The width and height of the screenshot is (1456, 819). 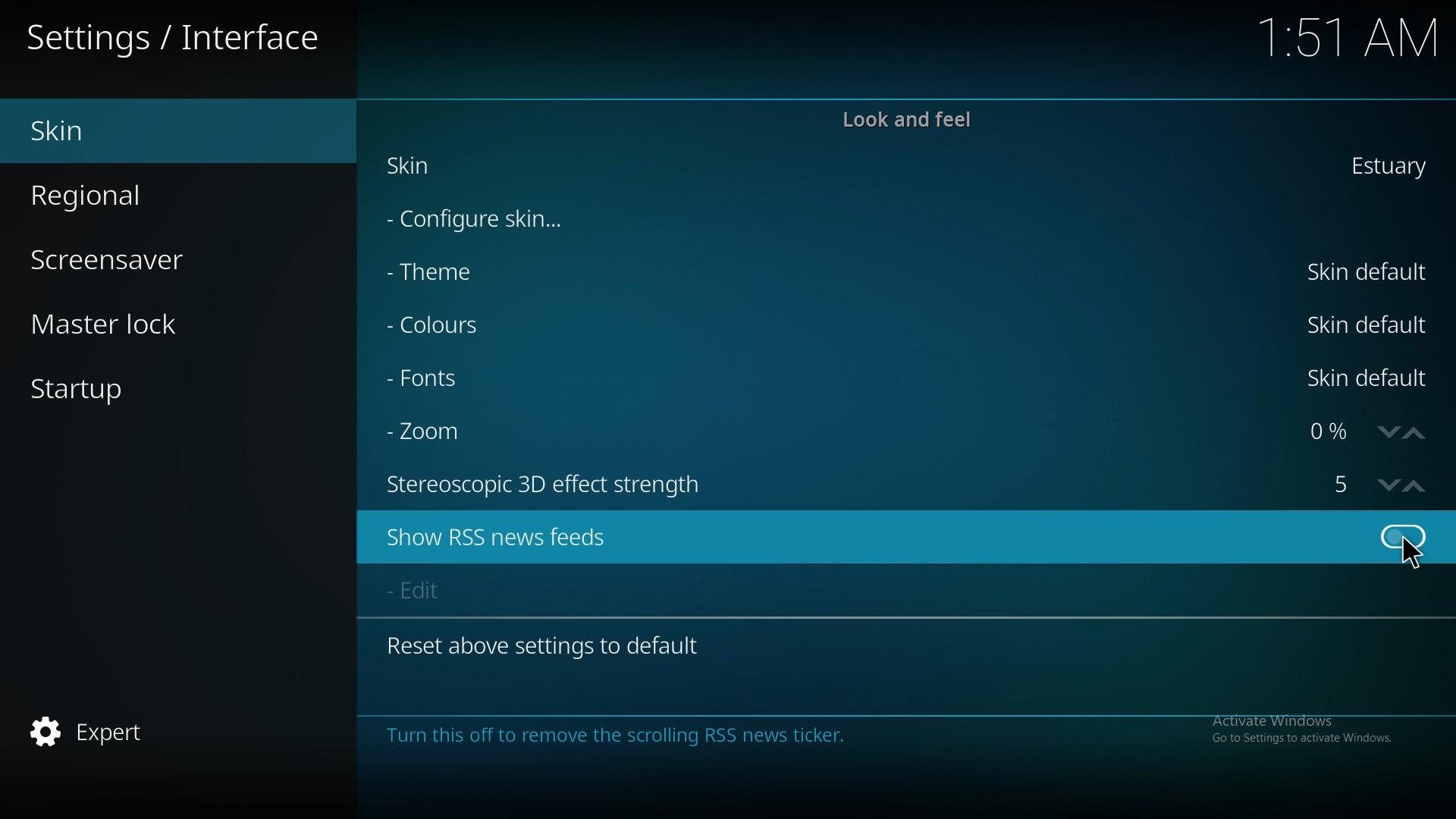 I want to click on zoom, so click(x=1326, y=433).